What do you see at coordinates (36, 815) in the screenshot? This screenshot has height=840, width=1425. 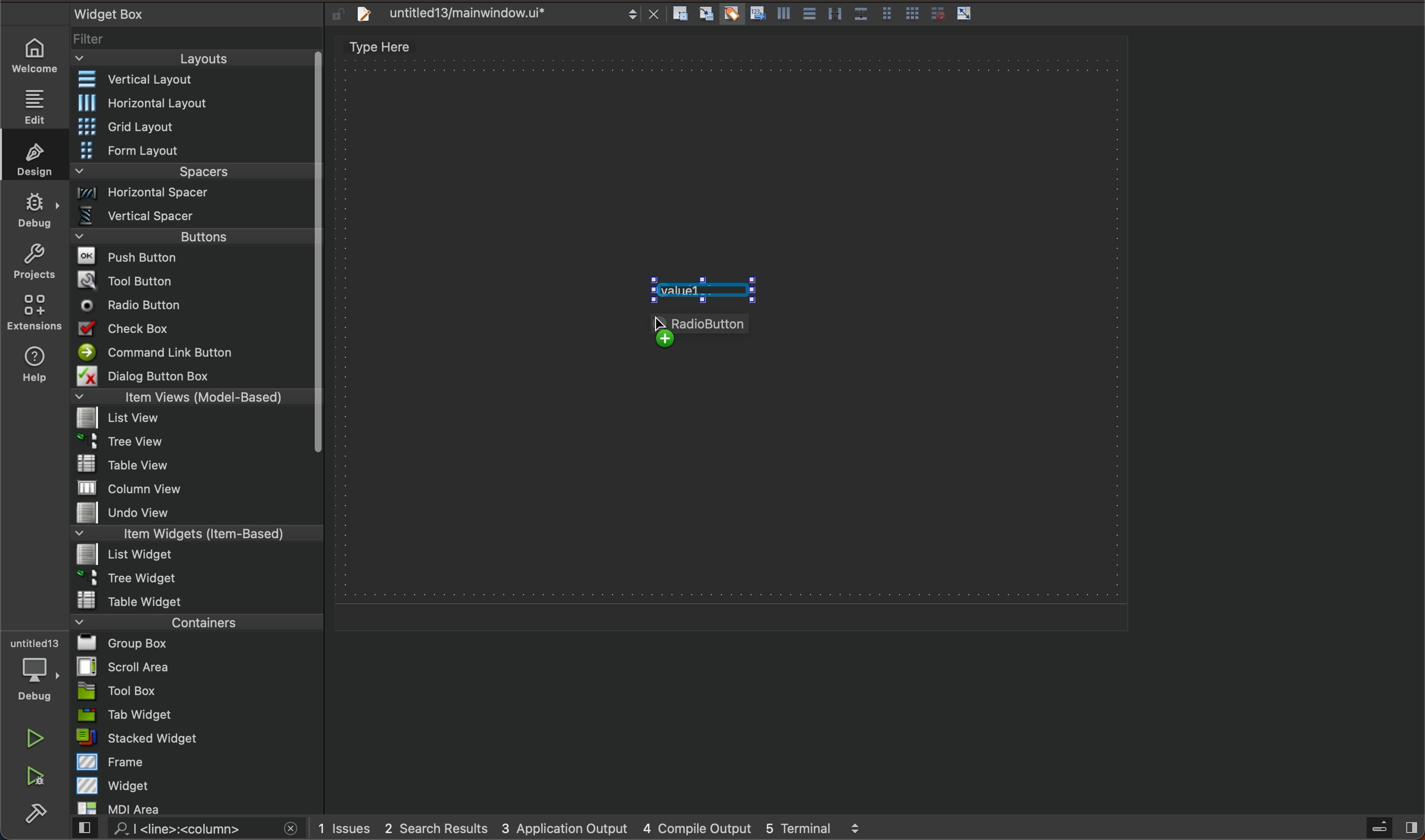 I see `build` at bounding box center [36, 815].